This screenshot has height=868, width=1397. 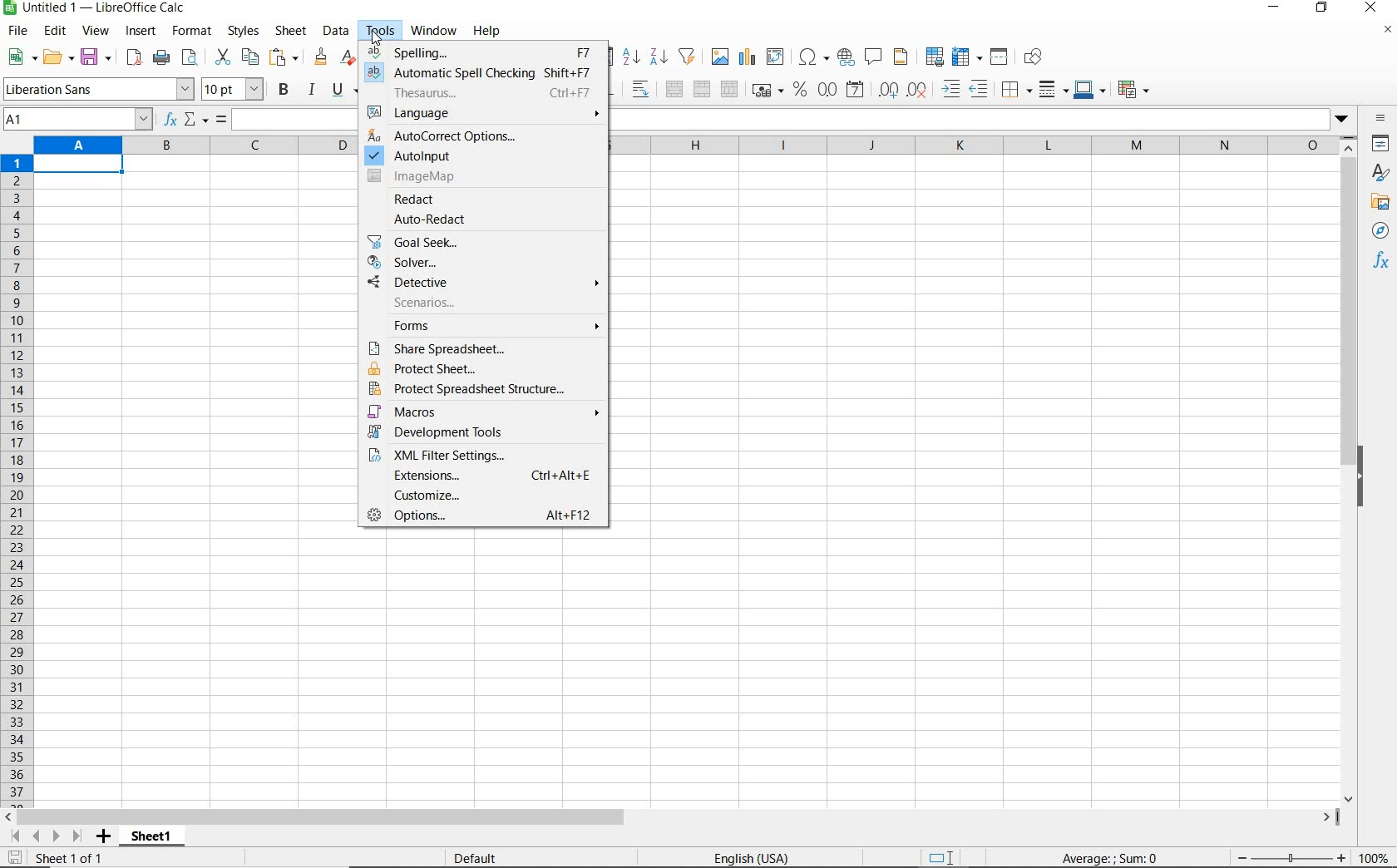 What do you see at coordinates (490, 31) in the screenshot?
I see `help` at bounding box center [490, 31].